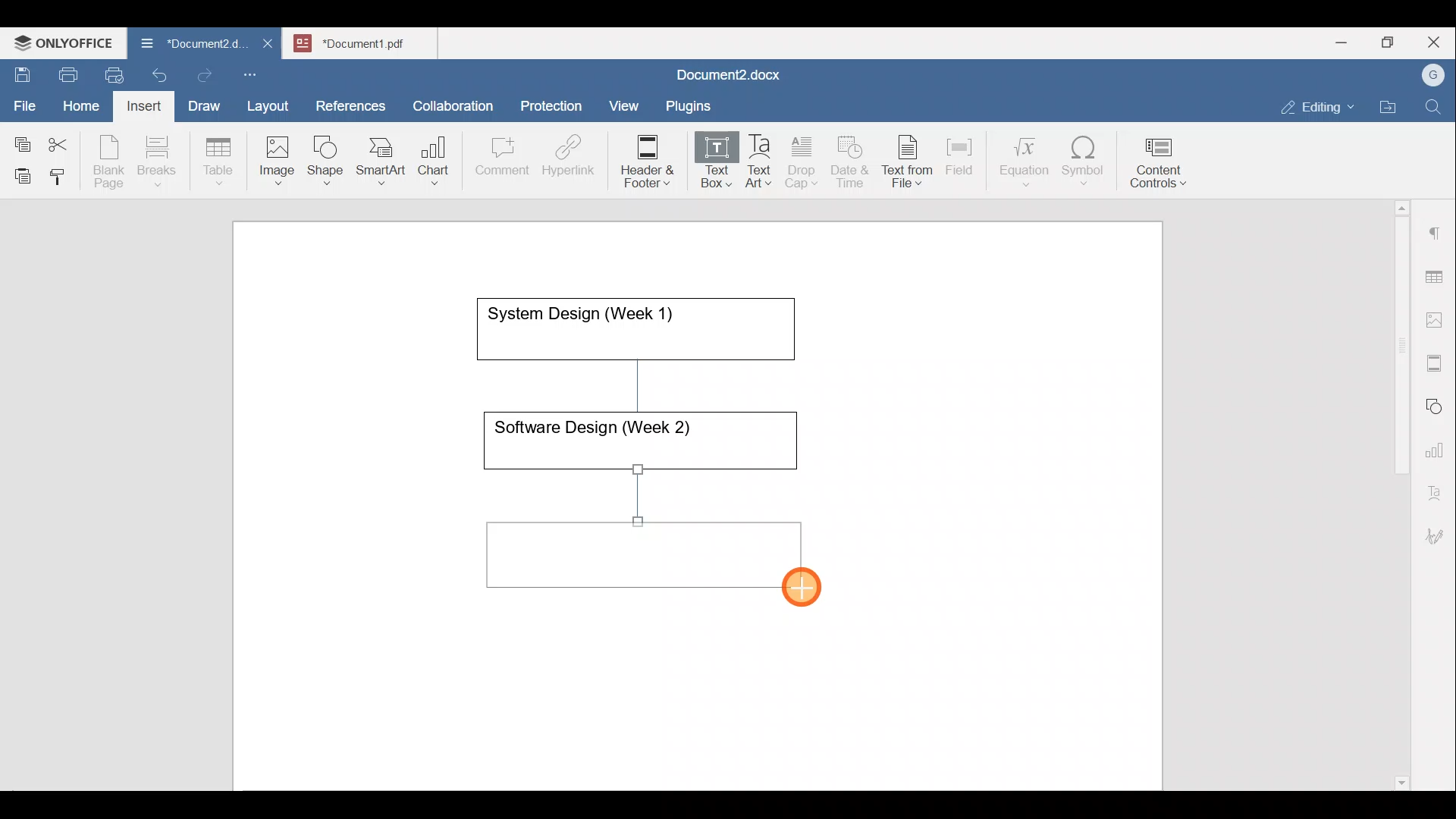 This screenshot has height=819, width=1456. What do you see at coordinates (1392, 108) in the screenshot?
I see `Open file location` at bounding box center [1392, 108].